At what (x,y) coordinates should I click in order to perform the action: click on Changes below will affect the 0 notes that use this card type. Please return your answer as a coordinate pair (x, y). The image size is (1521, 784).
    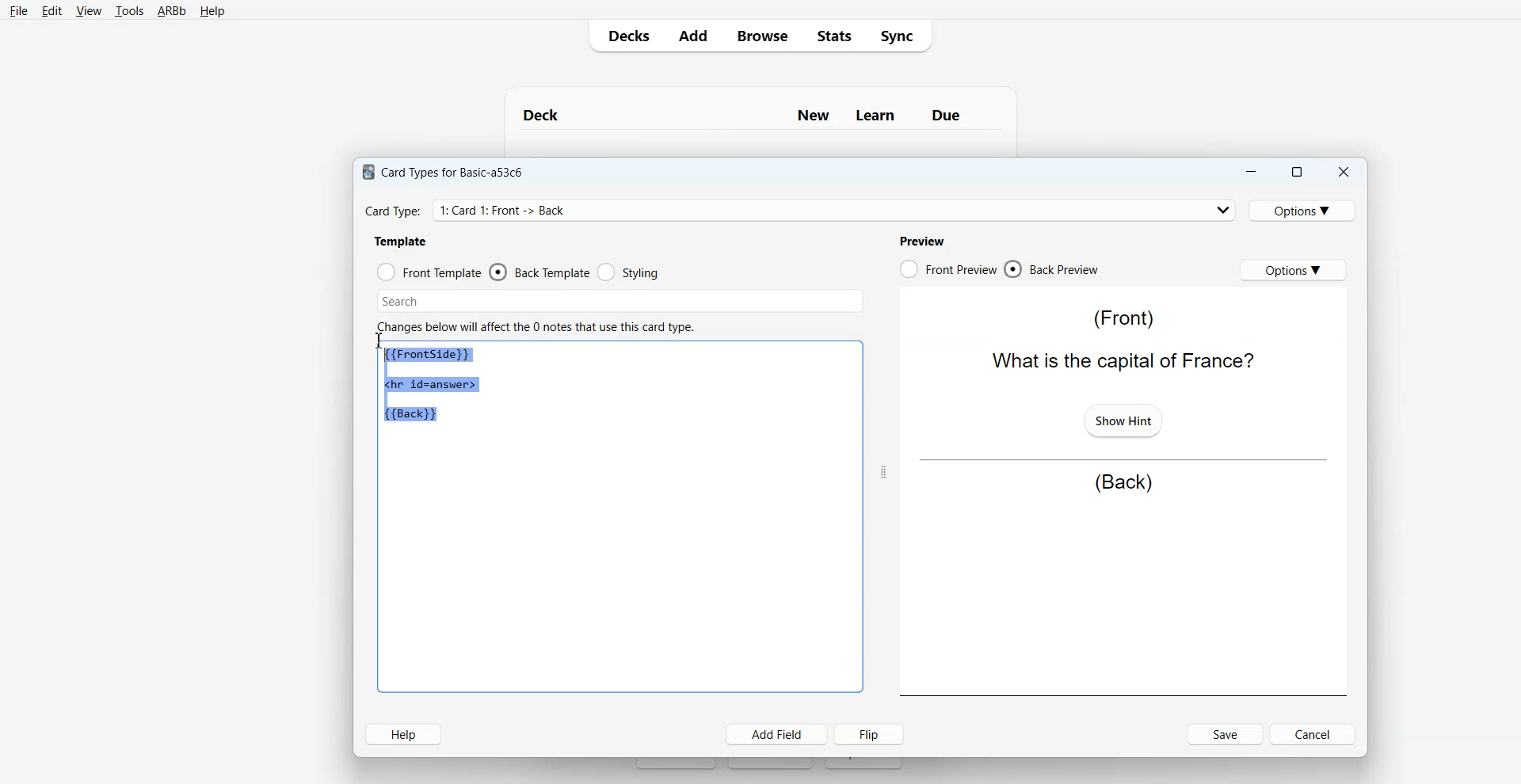
    Looking at the image, I should click on (542, 327).